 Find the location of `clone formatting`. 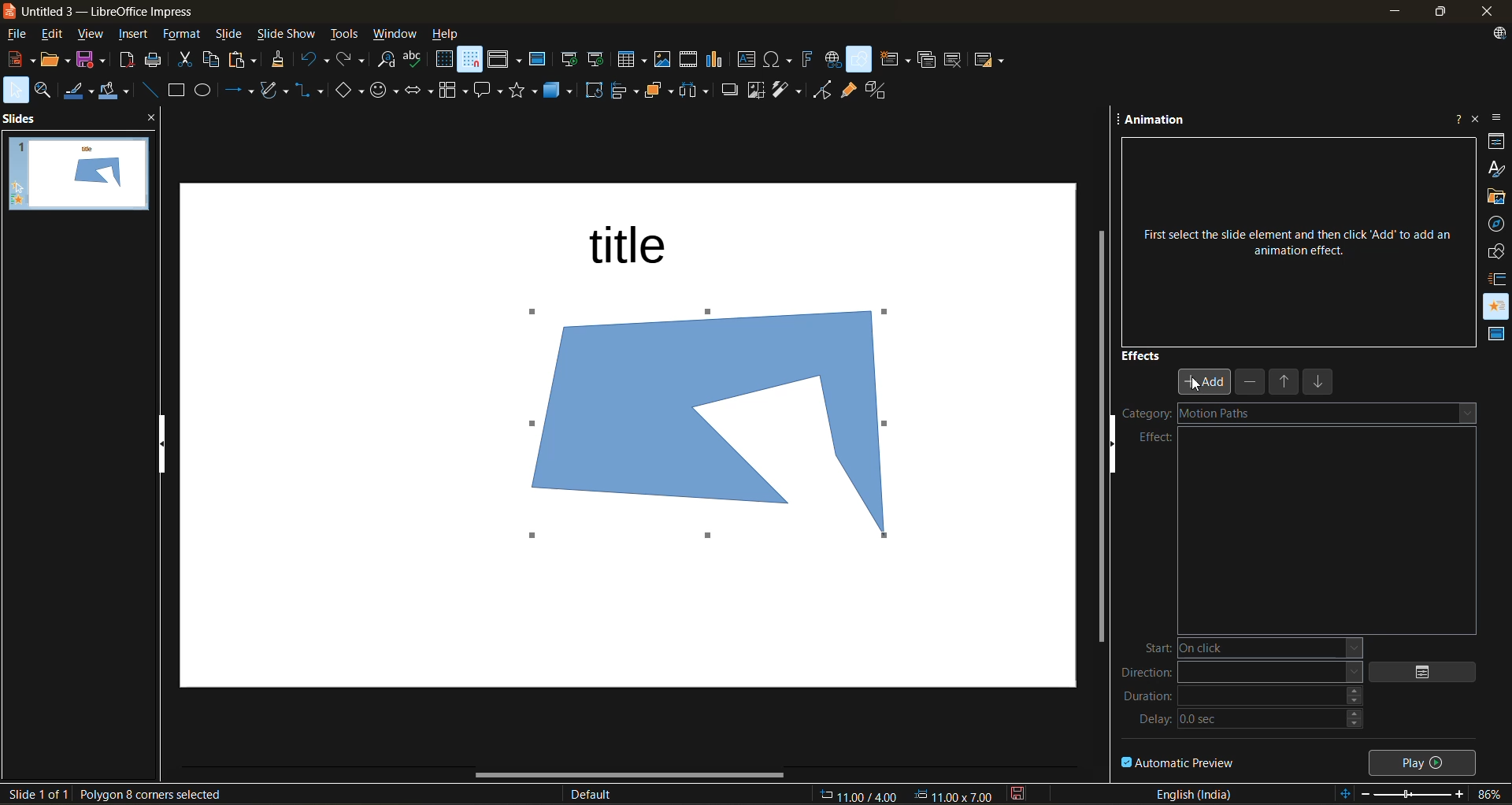

clone formatting is located at coordinates (279, 61).